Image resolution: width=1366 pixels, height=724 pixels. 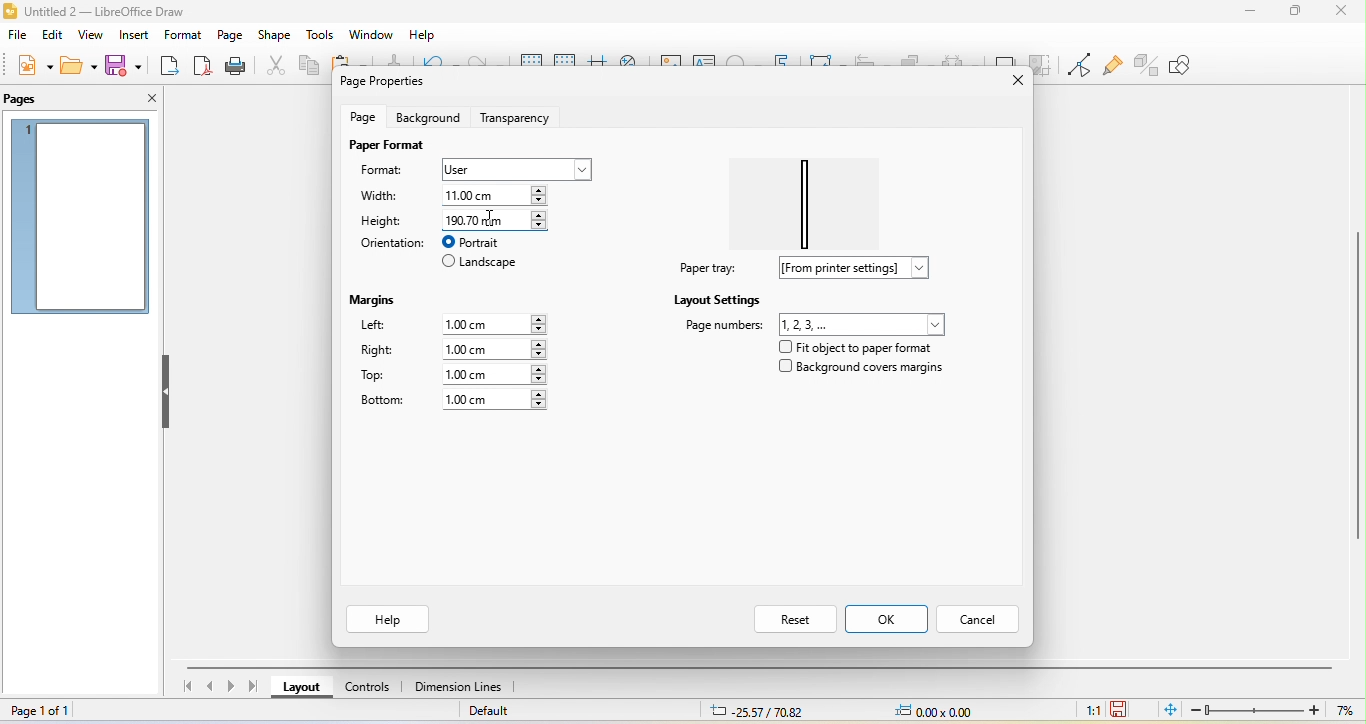 I want to click on cursor movement, so click(x=498, y=219).